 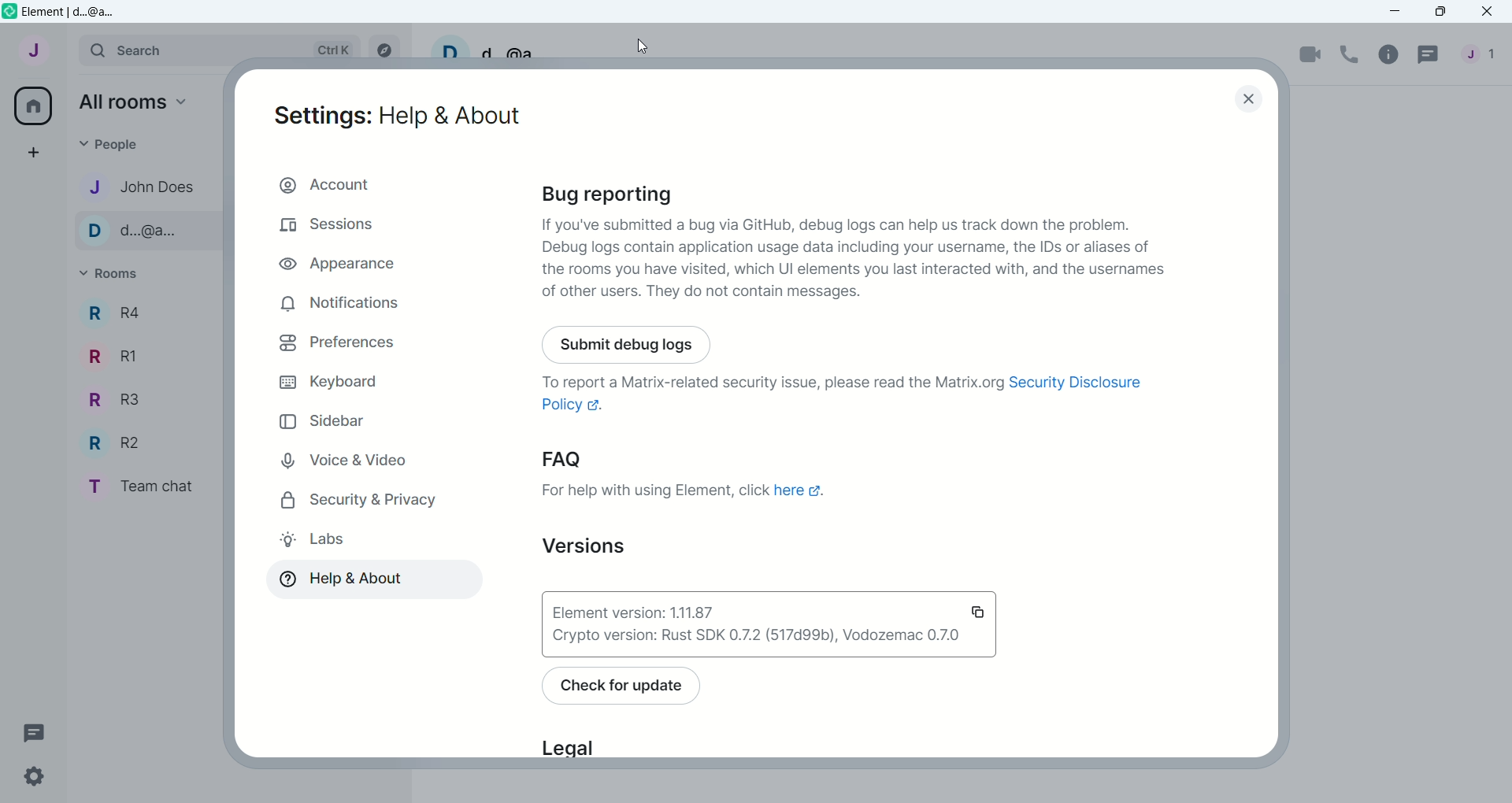 I want to click on Element |@d.., so click(x=74, y=12).